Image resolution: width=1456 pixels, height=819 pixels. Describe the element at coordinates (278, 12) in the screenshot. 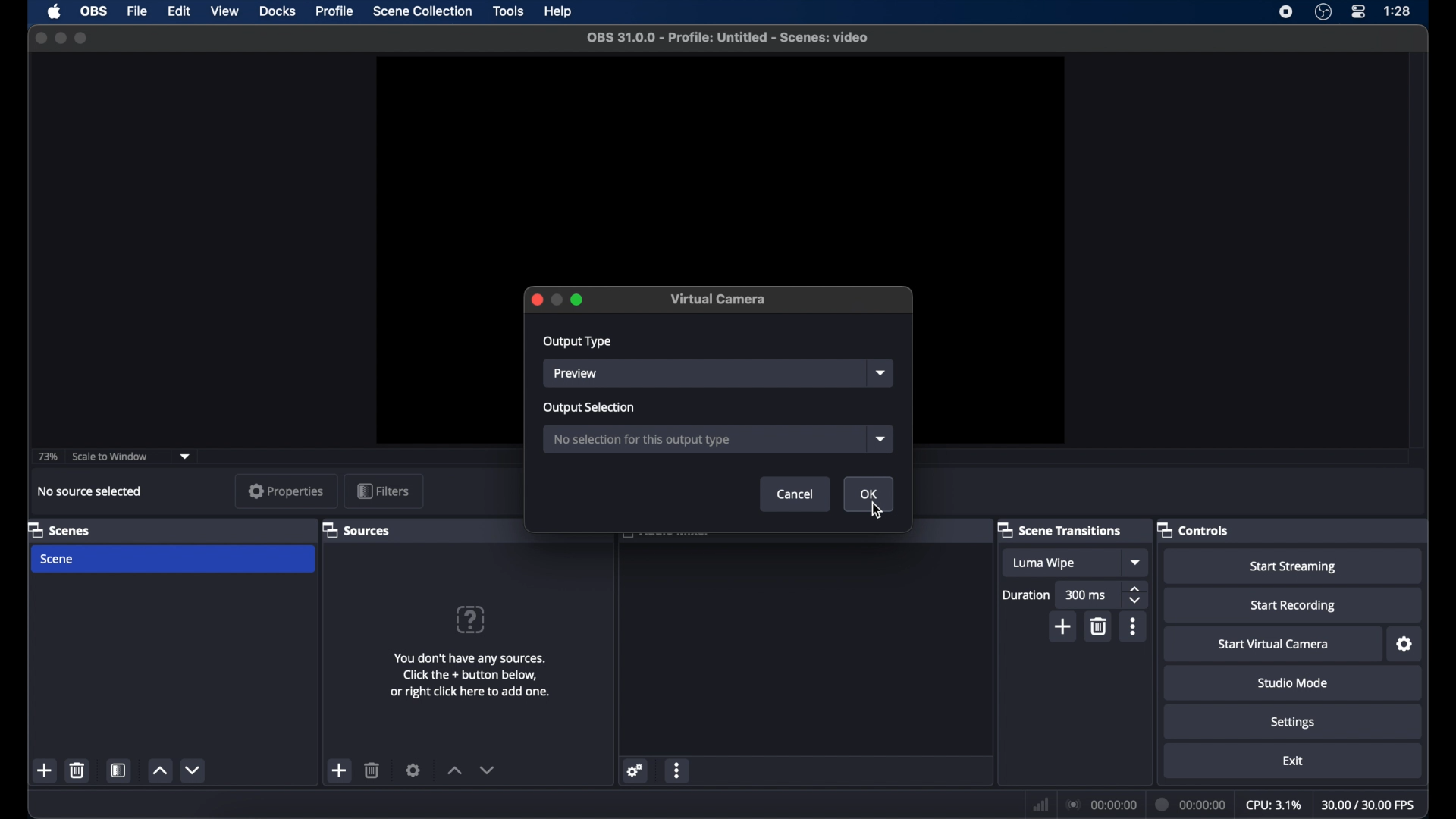

I see `docks` at that location.